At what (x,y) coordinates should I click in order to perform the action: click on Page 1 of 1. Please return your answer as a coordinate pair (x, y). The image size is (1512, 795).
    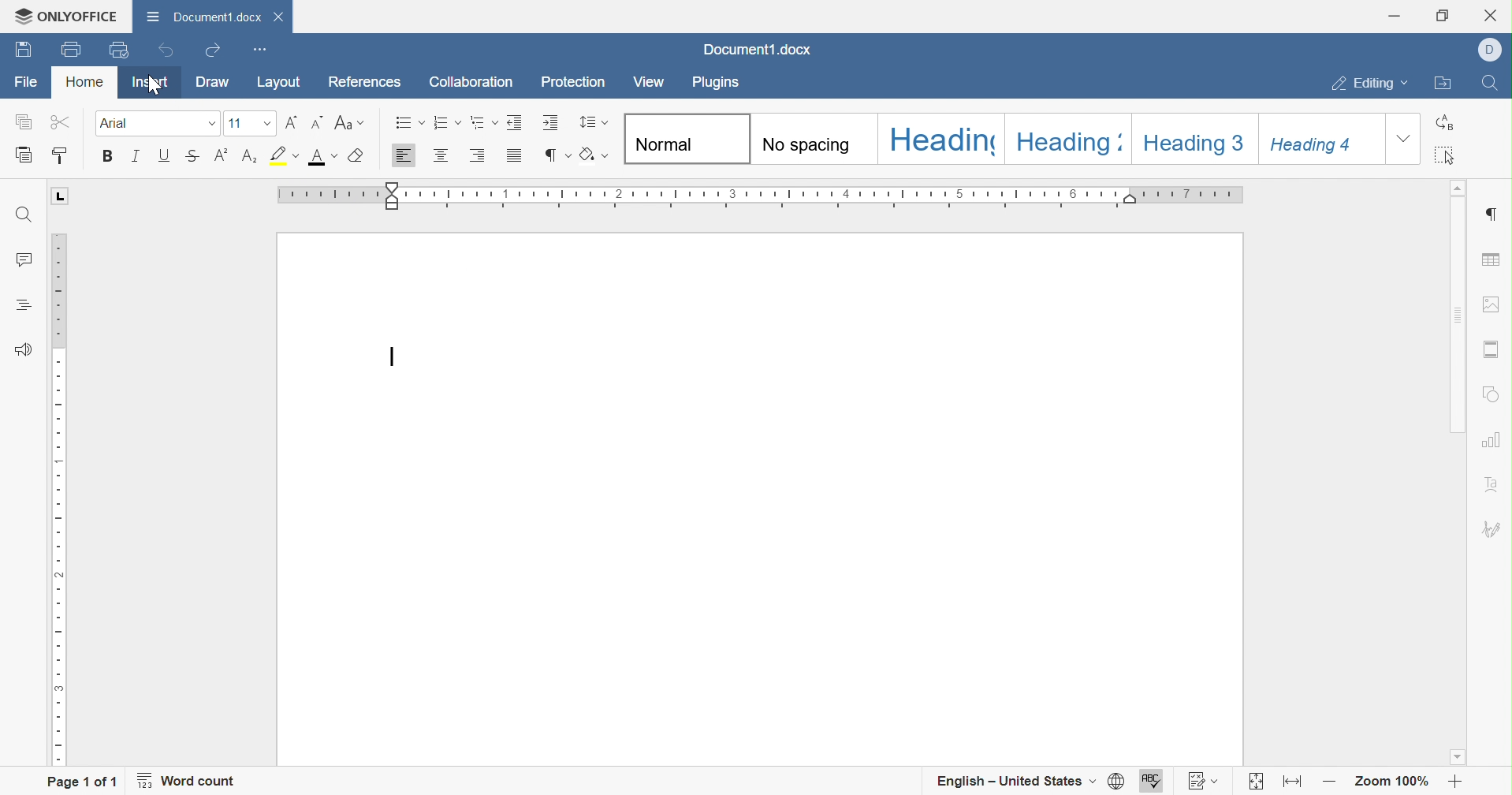
    Looking at the image, I should click on (83, 781).